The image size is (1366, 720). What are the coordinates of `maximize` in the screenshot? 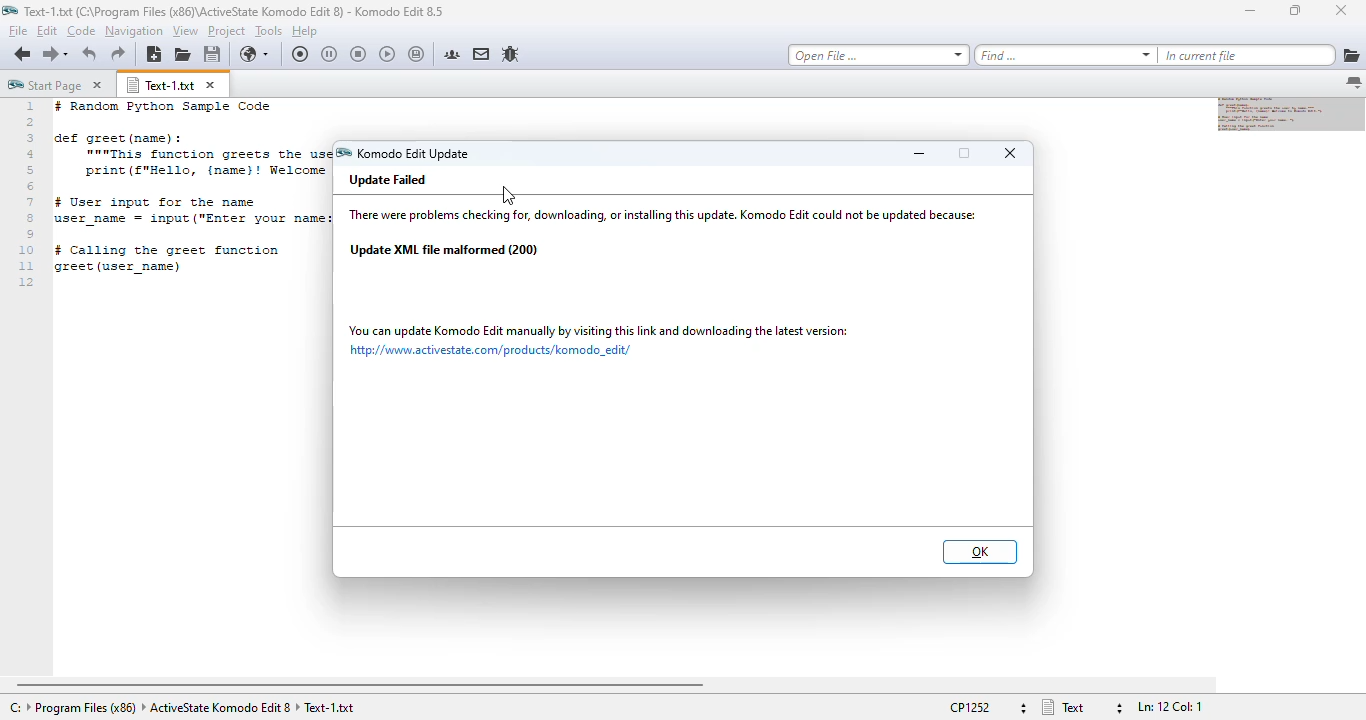 It's located at (964, 153).